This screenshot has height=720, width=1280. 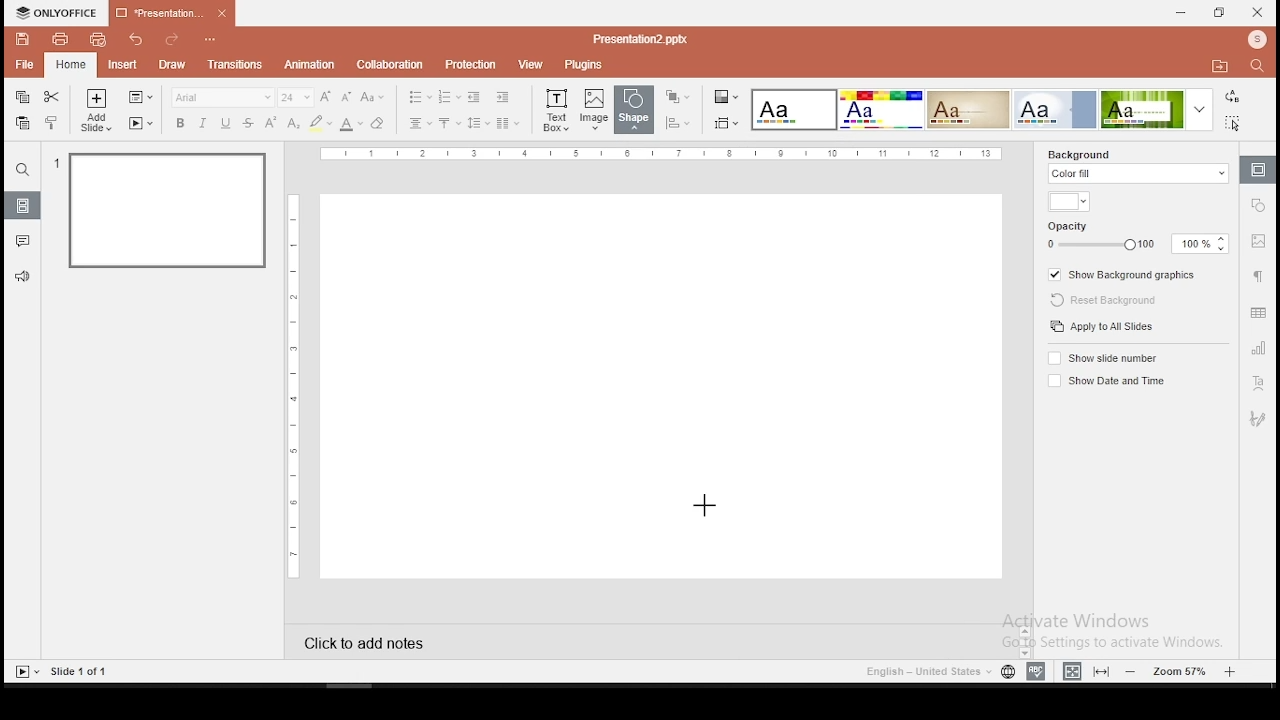 I want to click on paragraph settings, so click(x=1257, y=275).